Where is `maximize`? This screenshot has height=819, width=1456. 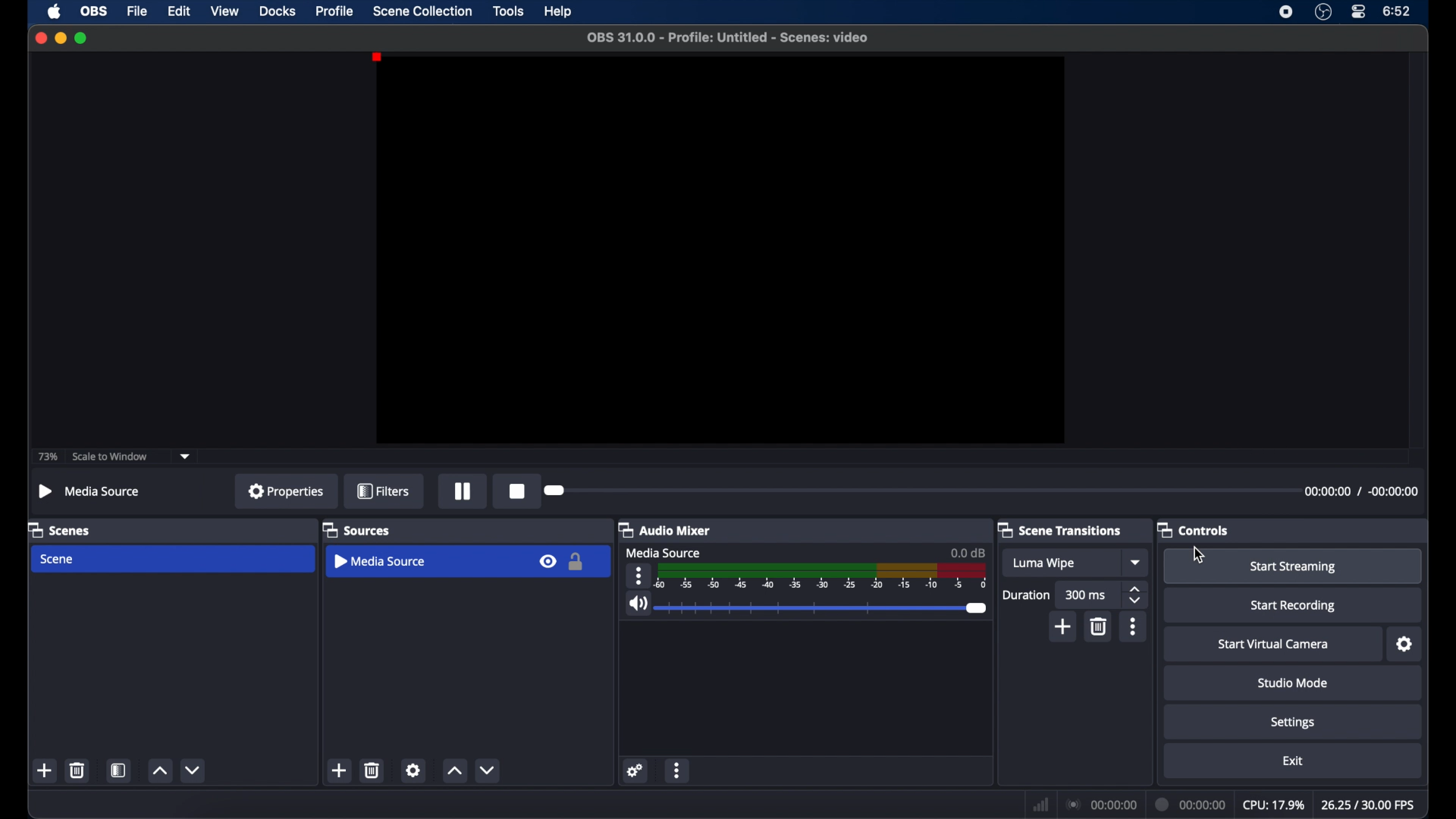
maximize is located at coordinates (82, 38).